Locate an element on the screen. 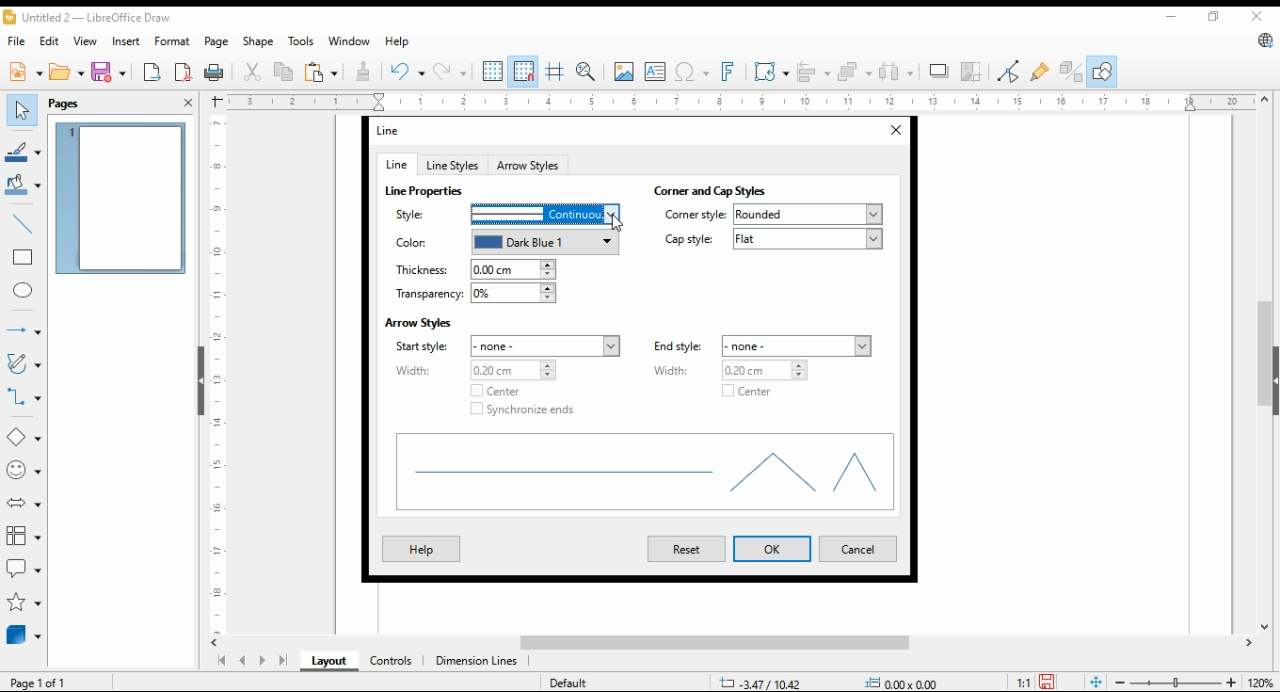 This screenshot has height=692, width=1280. insert image is located at coordinates (623, 71).